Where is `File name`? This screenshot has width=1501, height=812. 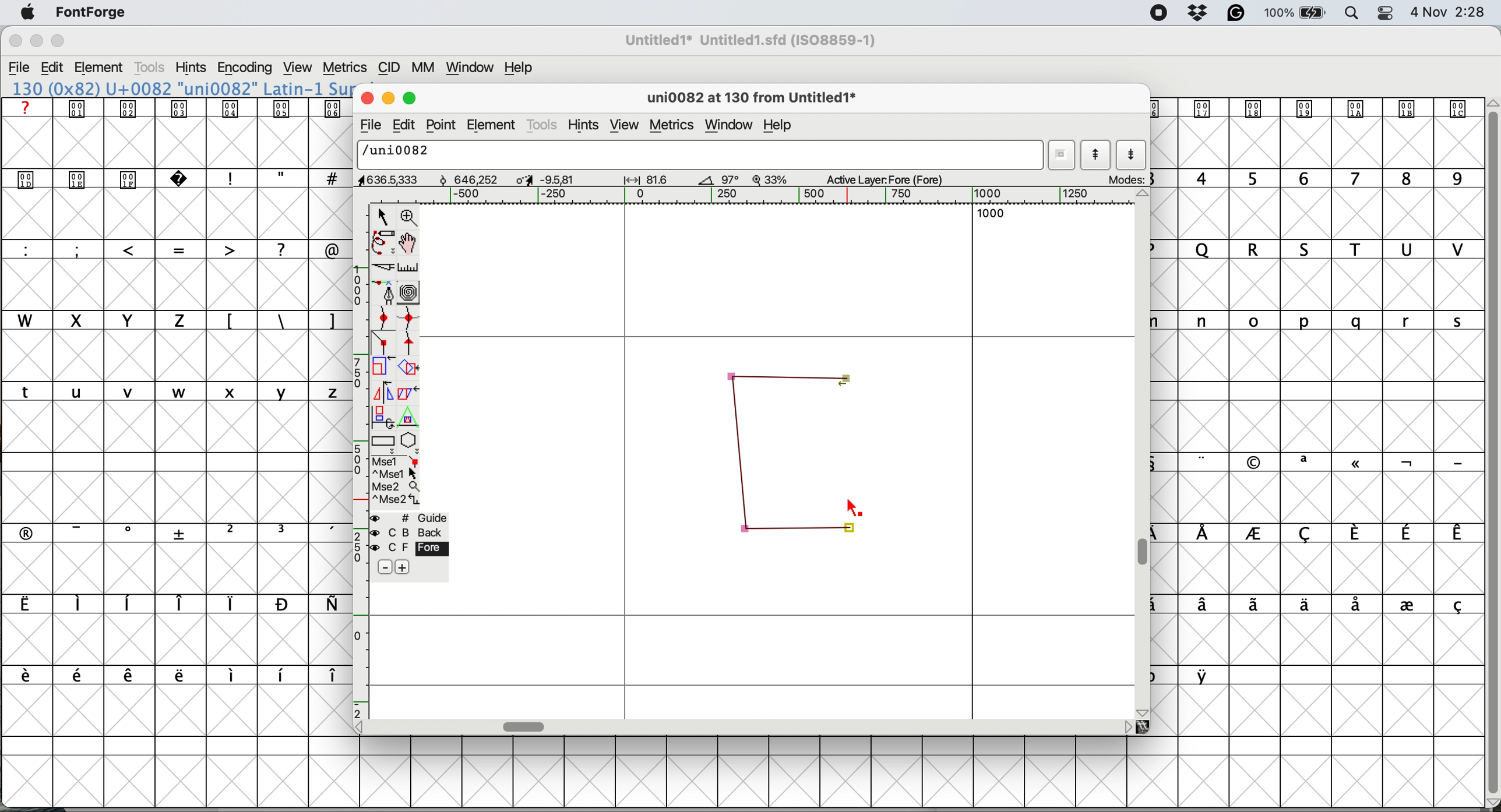
File name is located at coordinates (747, 40).